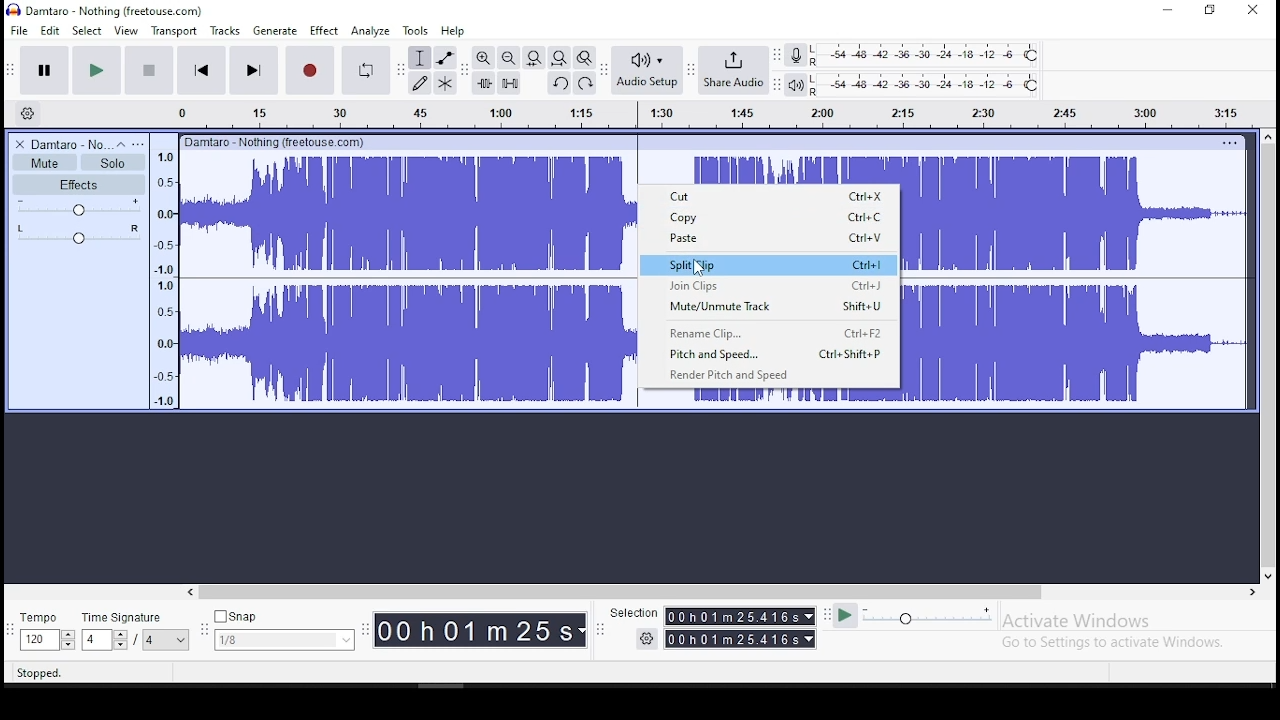 The height and width of the screenshot is (720, 1280). I want to click on split clip ctrl+i, so click(772, 265).